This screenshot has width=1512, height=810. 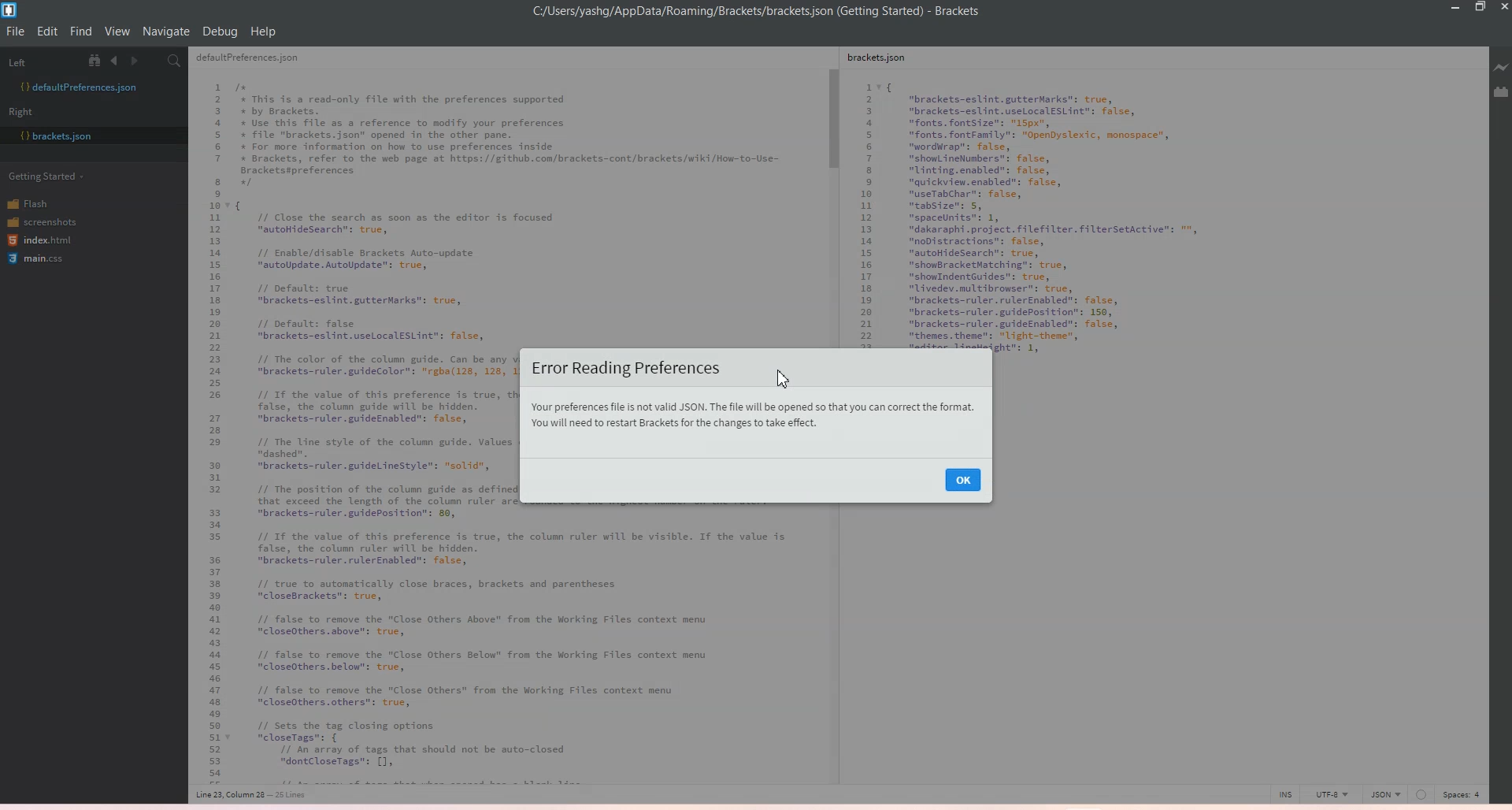 I want to click on Error Reading Preferences, so click(x=624, y=368).